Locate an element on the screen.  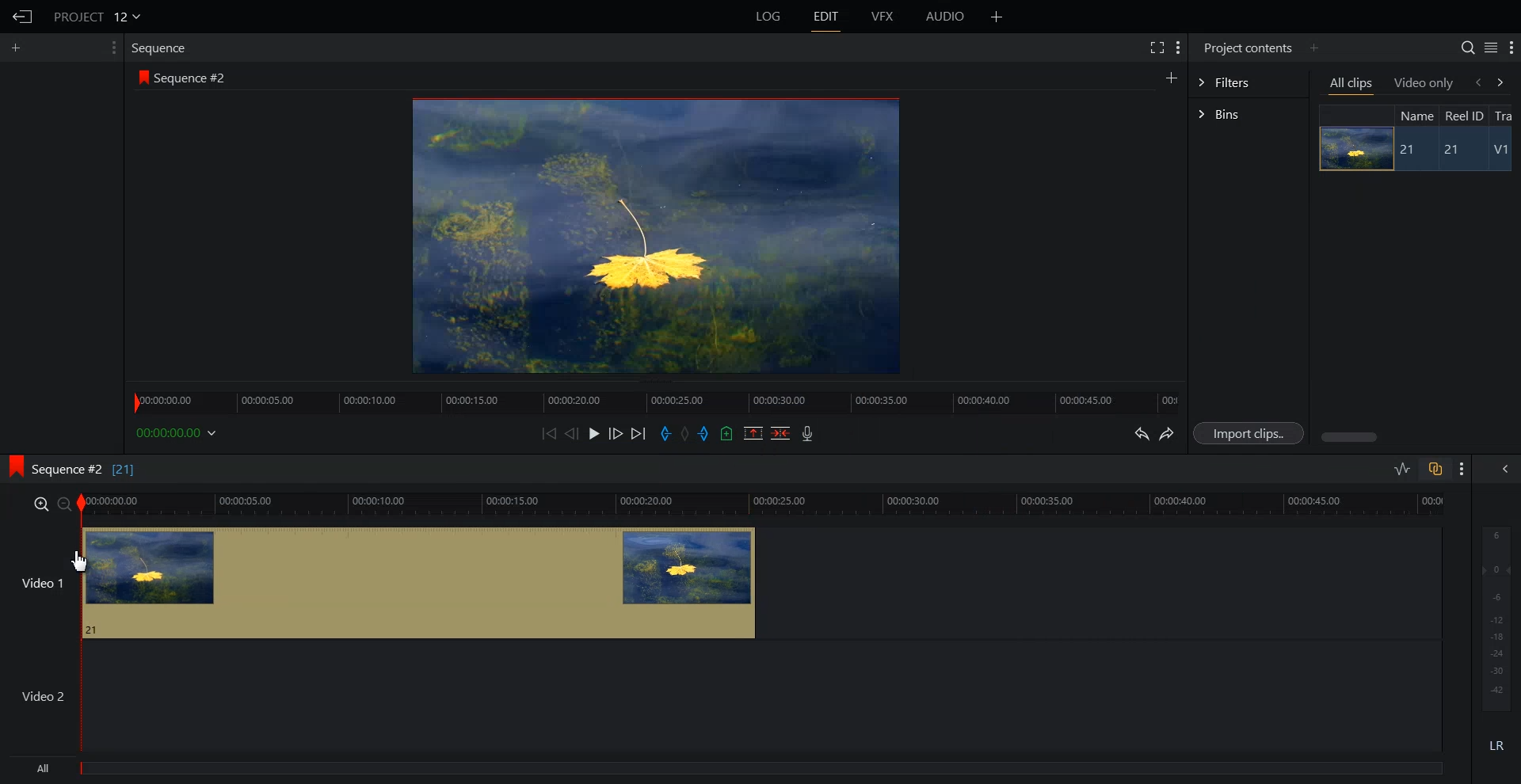
Video 2 is located at coordinates (721, 696).